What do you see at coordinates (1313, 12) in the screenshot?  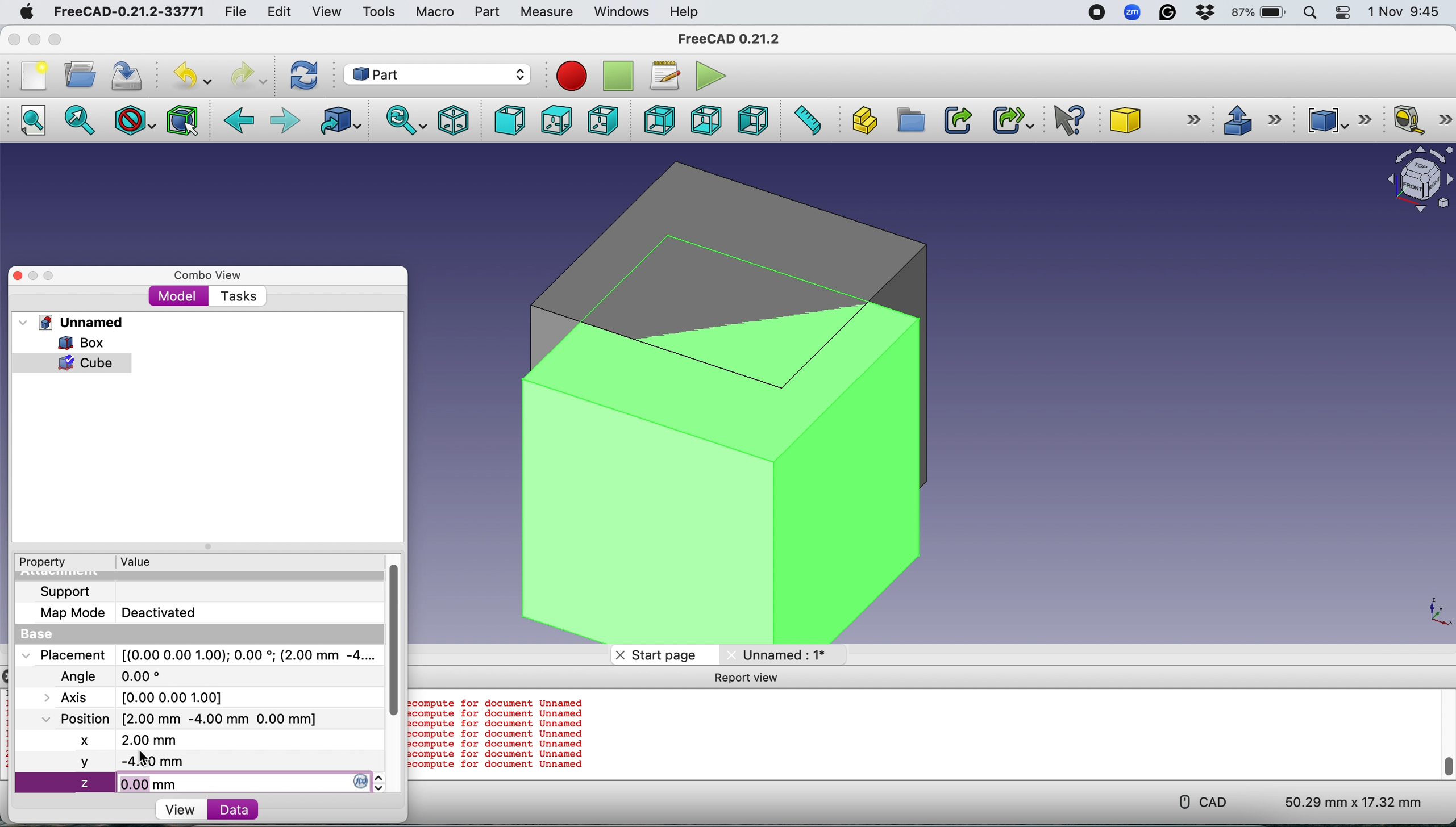 I see `Spotlight search` at bounding box center [1313, 12].